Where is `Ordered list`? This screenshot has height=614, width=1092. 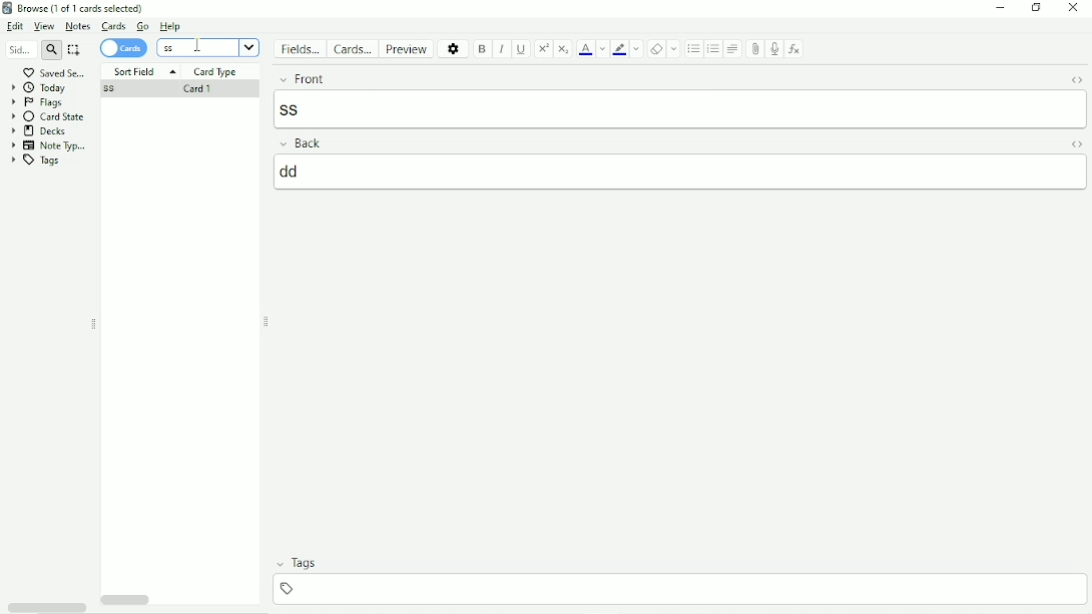 Ordered list is located at coordinates (713, 50).